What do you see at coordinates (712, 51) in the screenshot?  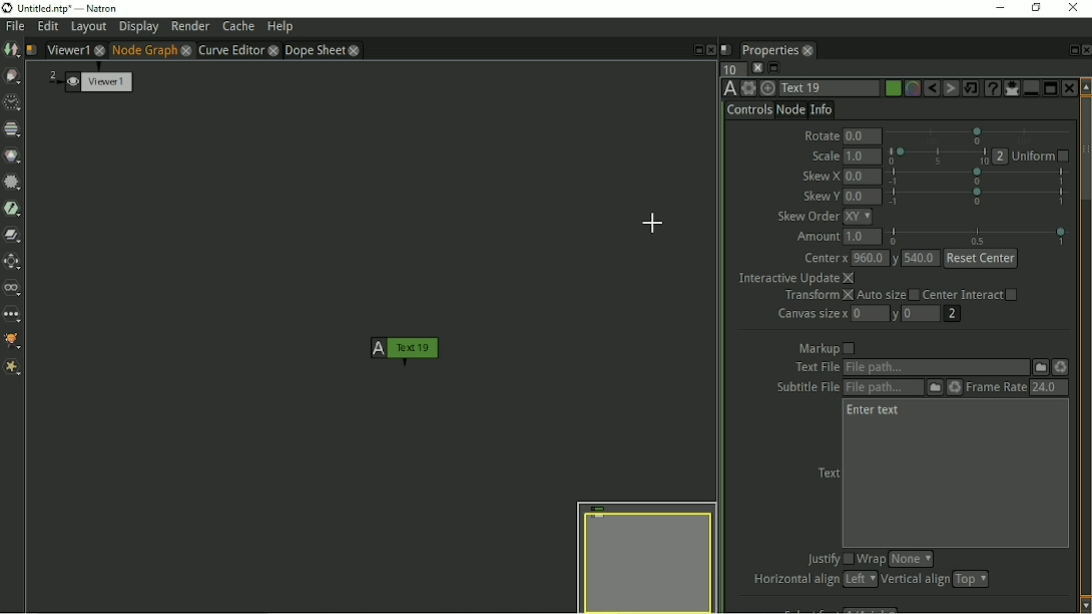 I see `Close` at bounding box center [712, 51].